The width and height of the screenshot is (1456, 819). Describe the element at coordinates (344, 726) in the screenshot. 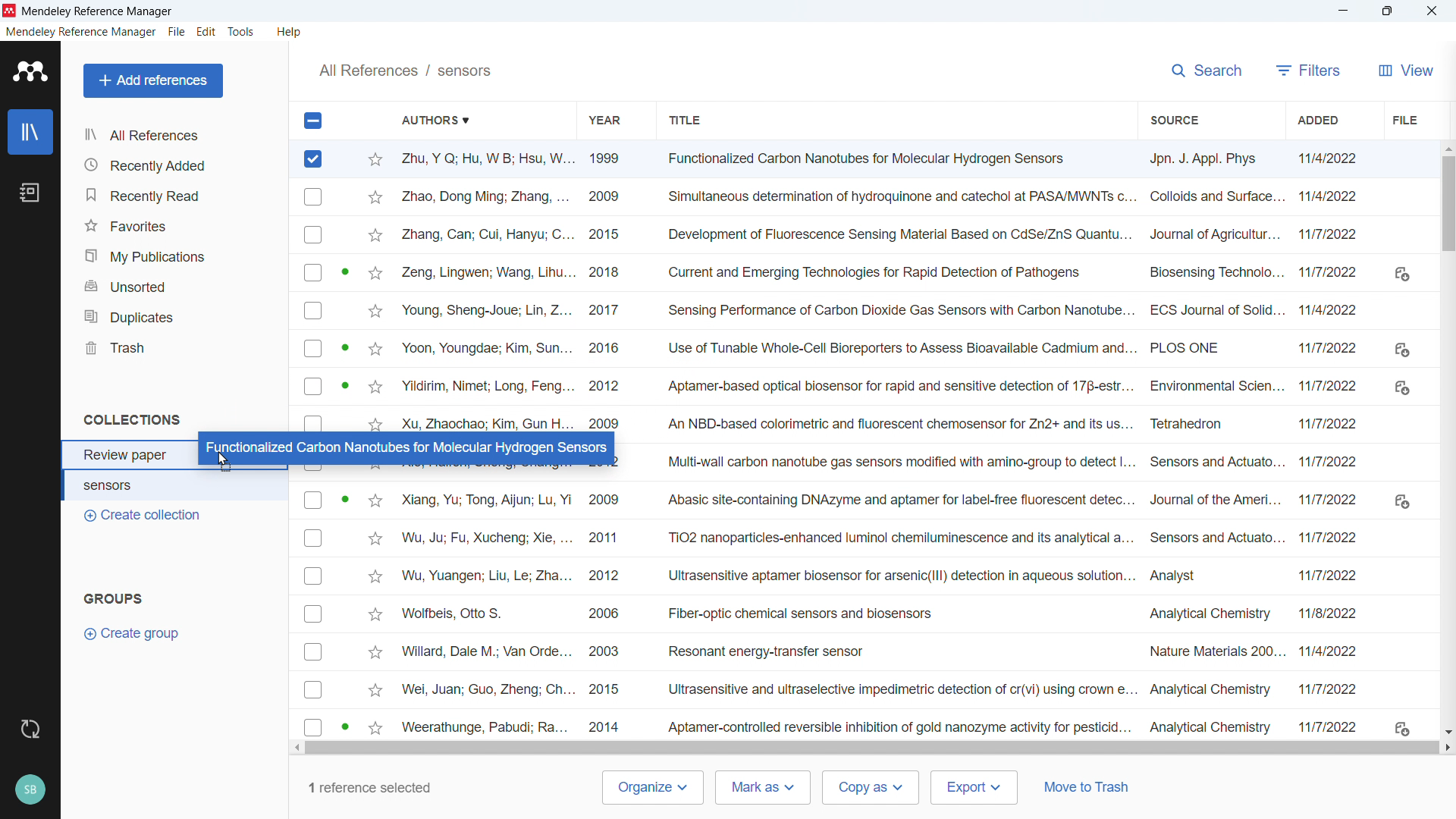

I see `PDF available` at that location.